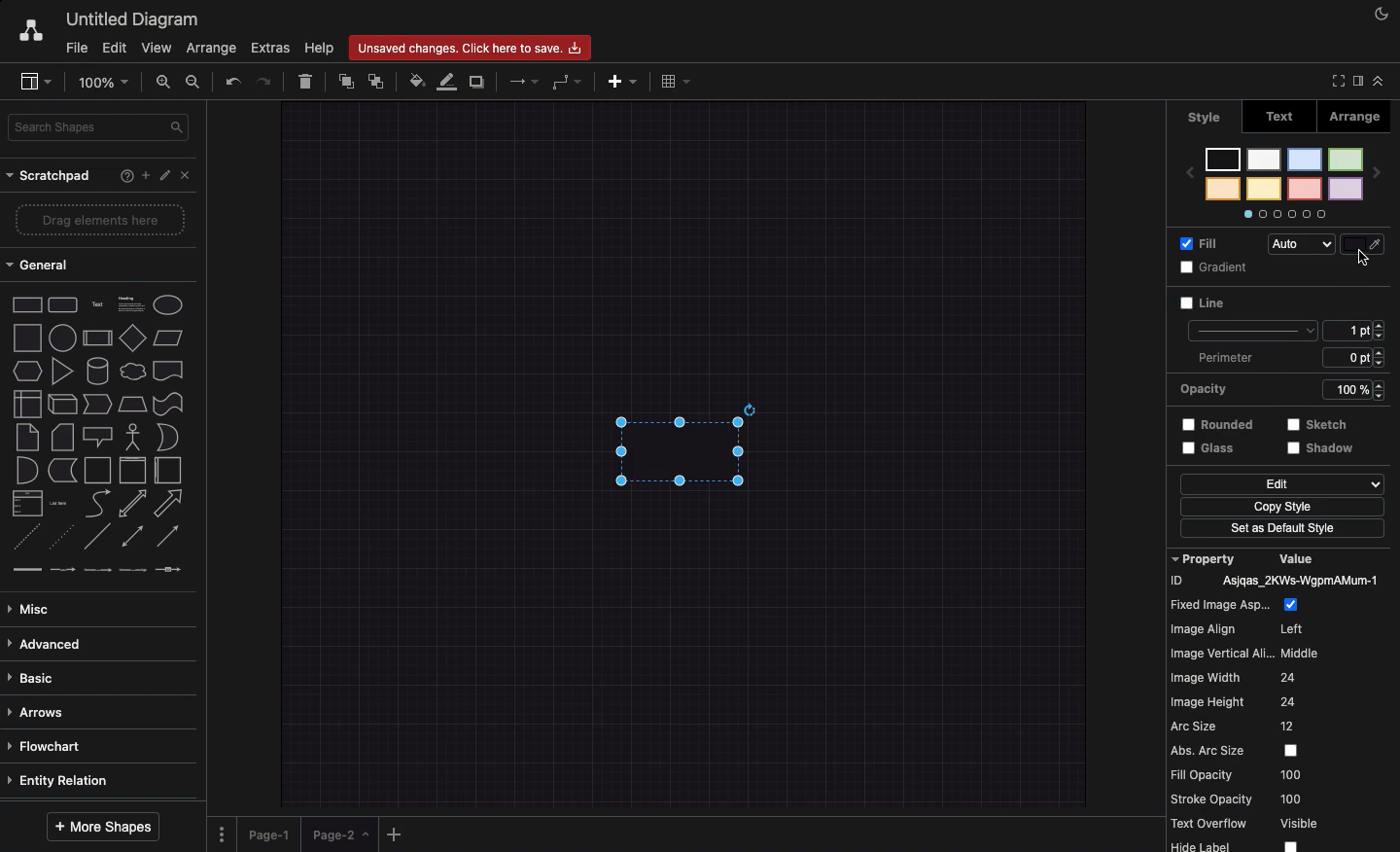 This screenshot has width=1400, height=852. Describe the element at coordinates (165, 176) in the screenshot. I see `Edit` at that location.